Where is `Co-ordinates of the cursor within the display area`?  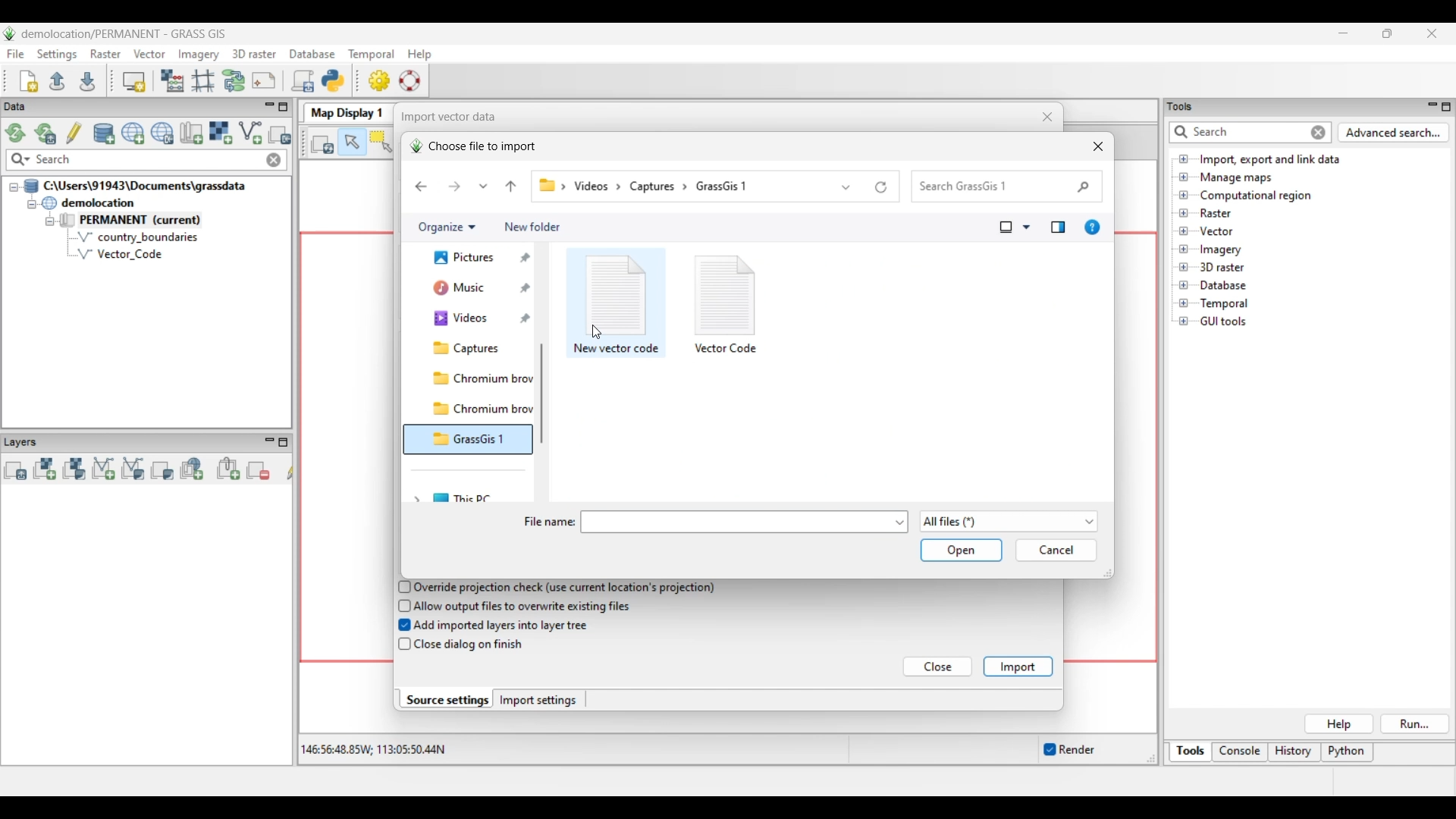 Co-ordinates of the cursor within the display area is located at coordinates (371, 750).